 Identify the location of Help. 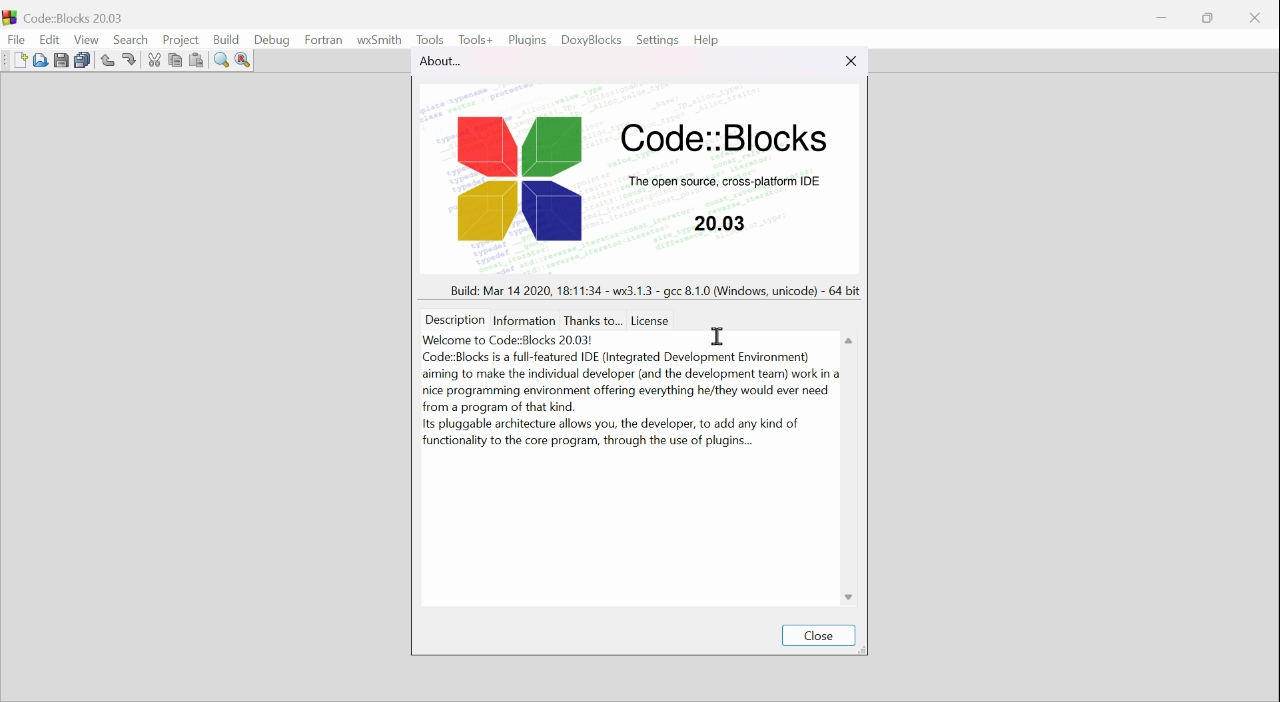
(709, 37).